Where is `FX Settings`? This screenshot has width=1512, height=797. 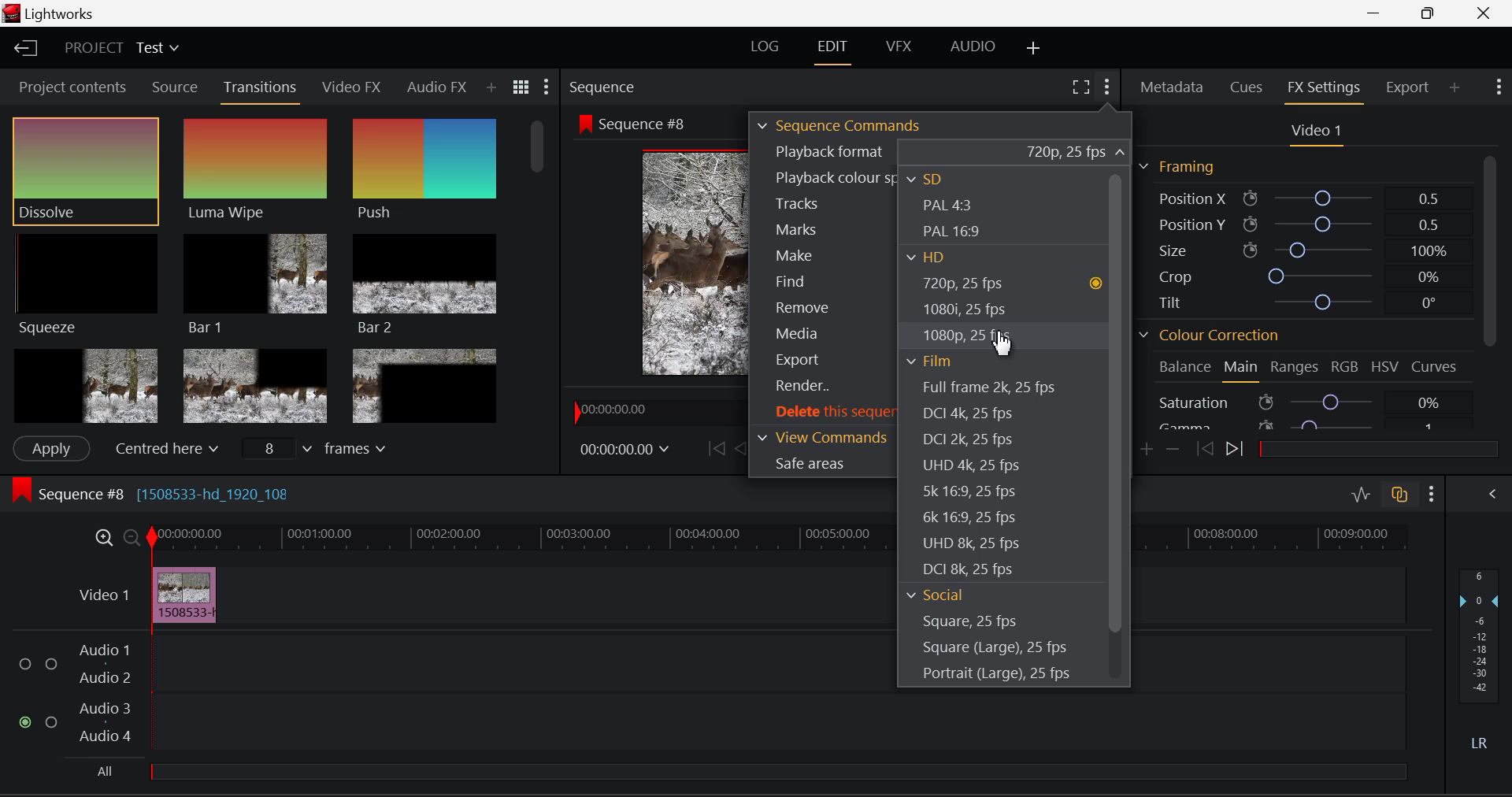
FX Settings is located at coordinates (1323, 88).